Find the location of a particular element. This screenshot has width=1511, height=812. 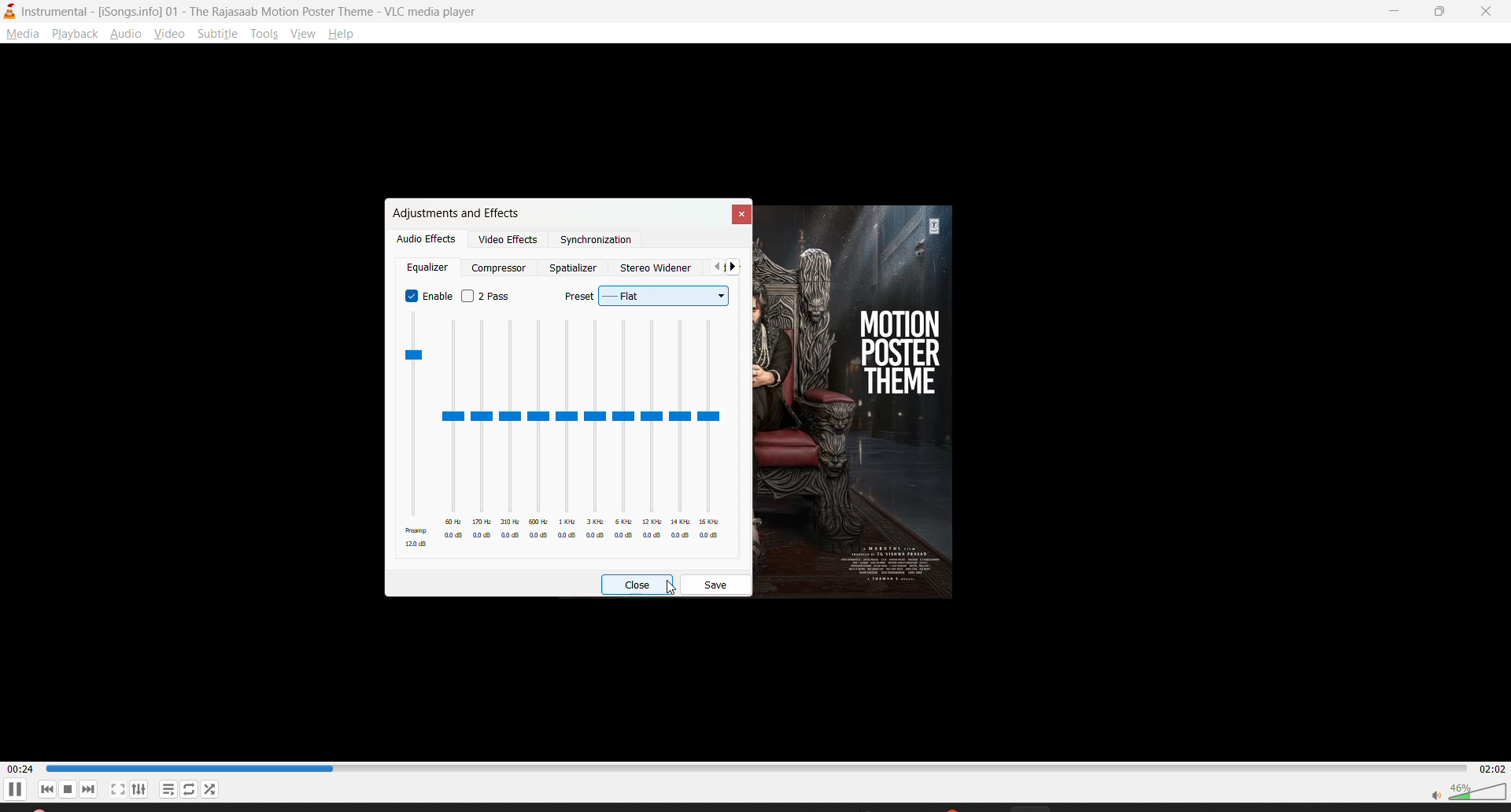

Play duration is located at coordinates (753, 768).